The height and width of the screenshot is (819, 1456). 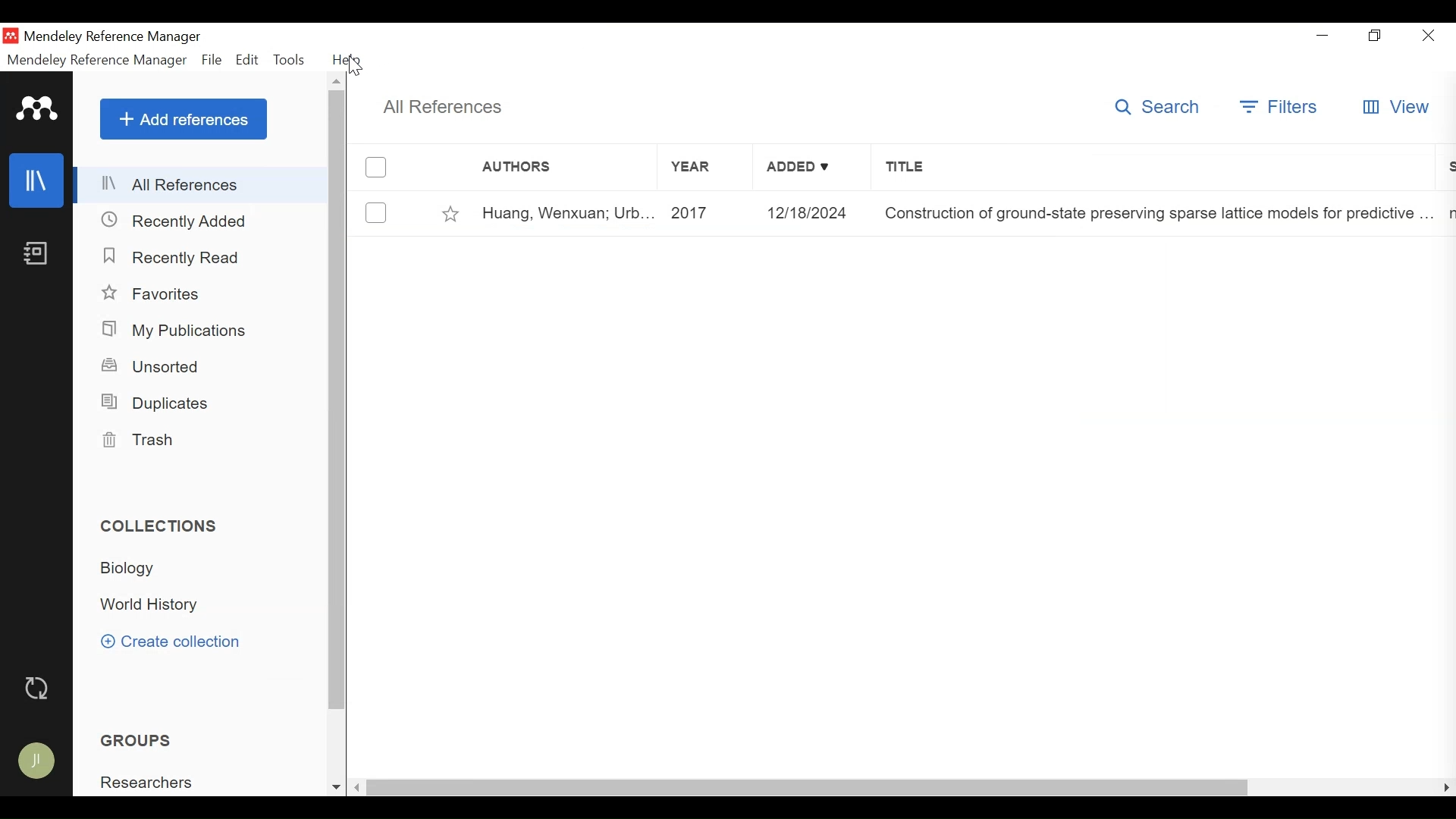 I want to click on Mendeley Reference Manager, so click(x=113, y=37).